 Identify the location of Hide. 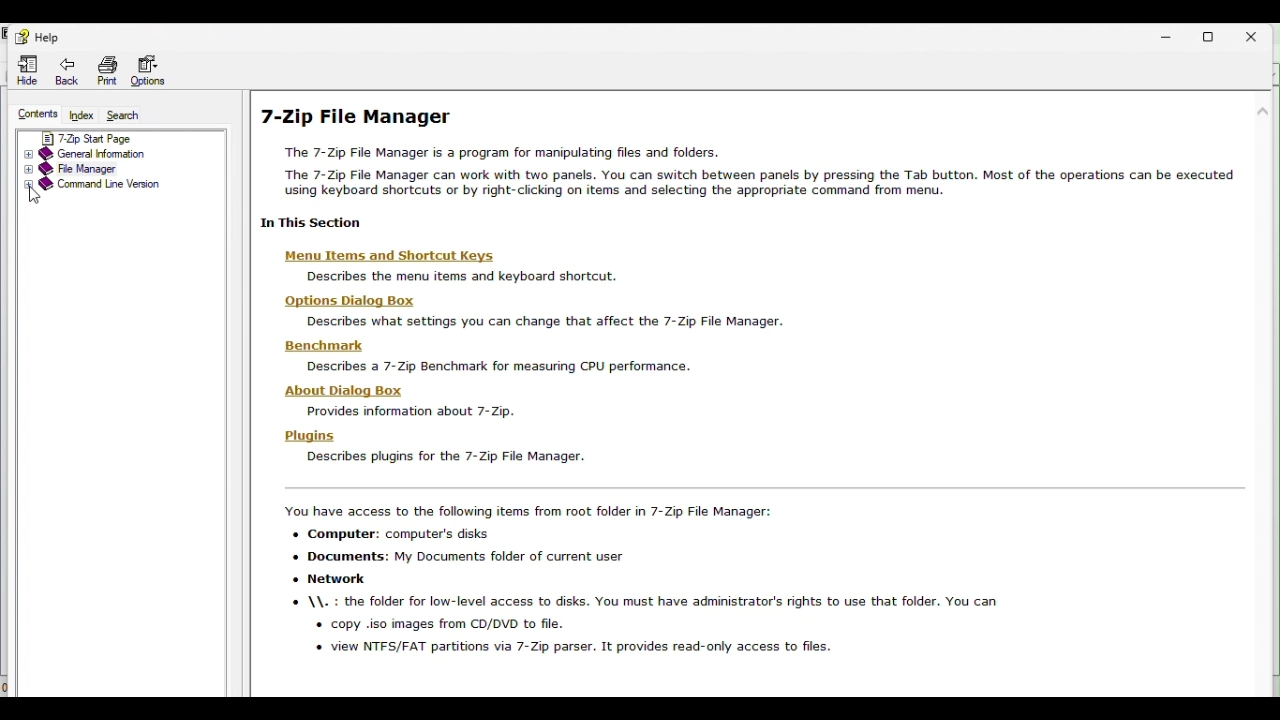
(27, 67).